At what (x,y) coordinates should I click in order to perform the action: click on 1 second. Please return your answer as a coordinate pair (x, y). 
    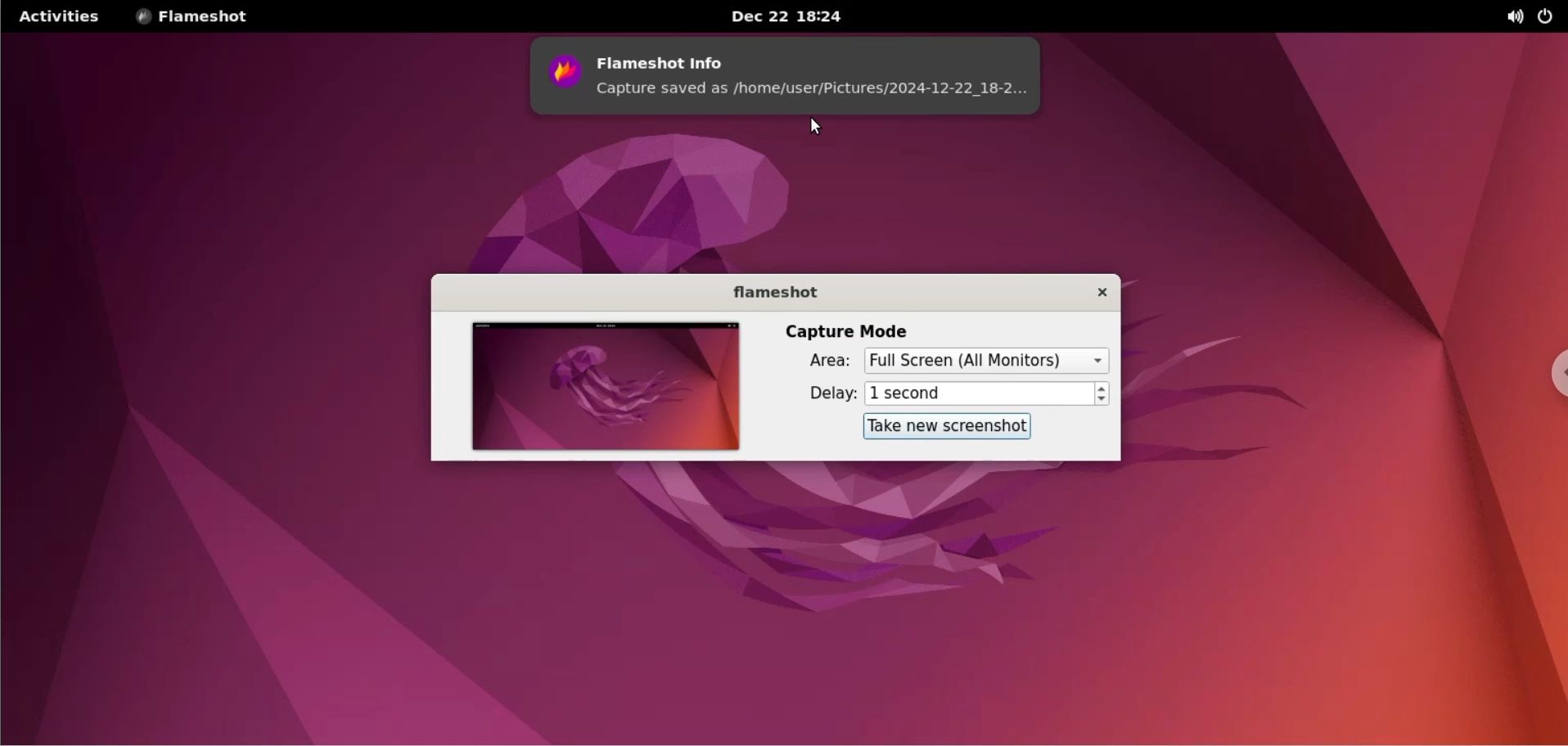
    Looking at the image, I should click on (976, 394).